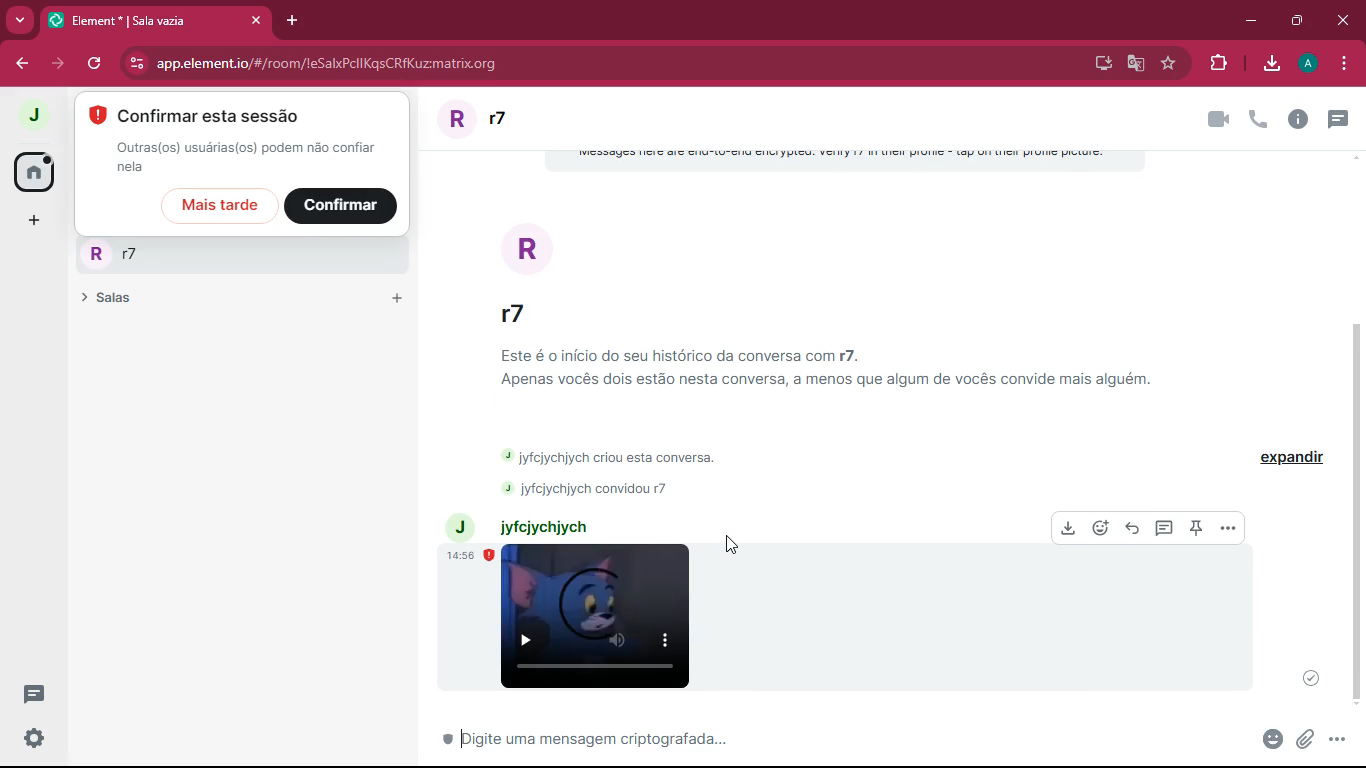  Describe the element at coordinates (244, 297) in the screenshot. I see `salas` at that location.